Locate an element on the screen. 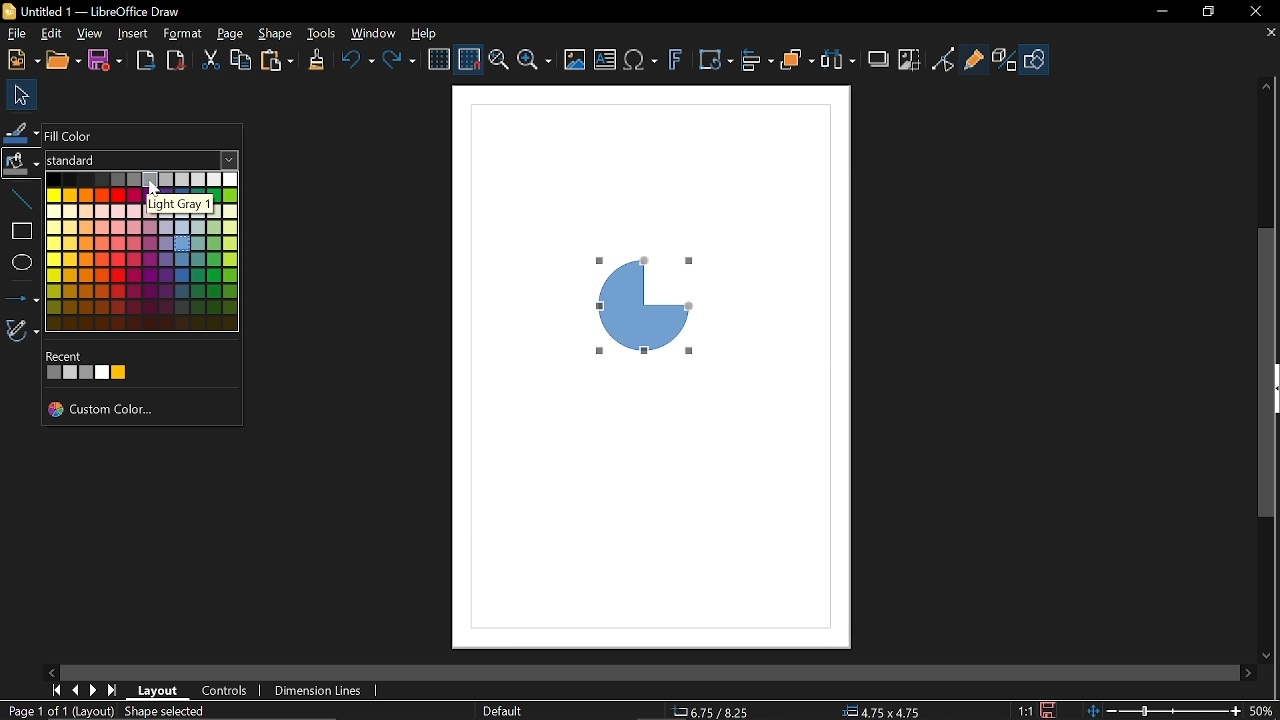 The width and height of the screenshot is (1280, 720). Align is located at coordinates (756, 62).